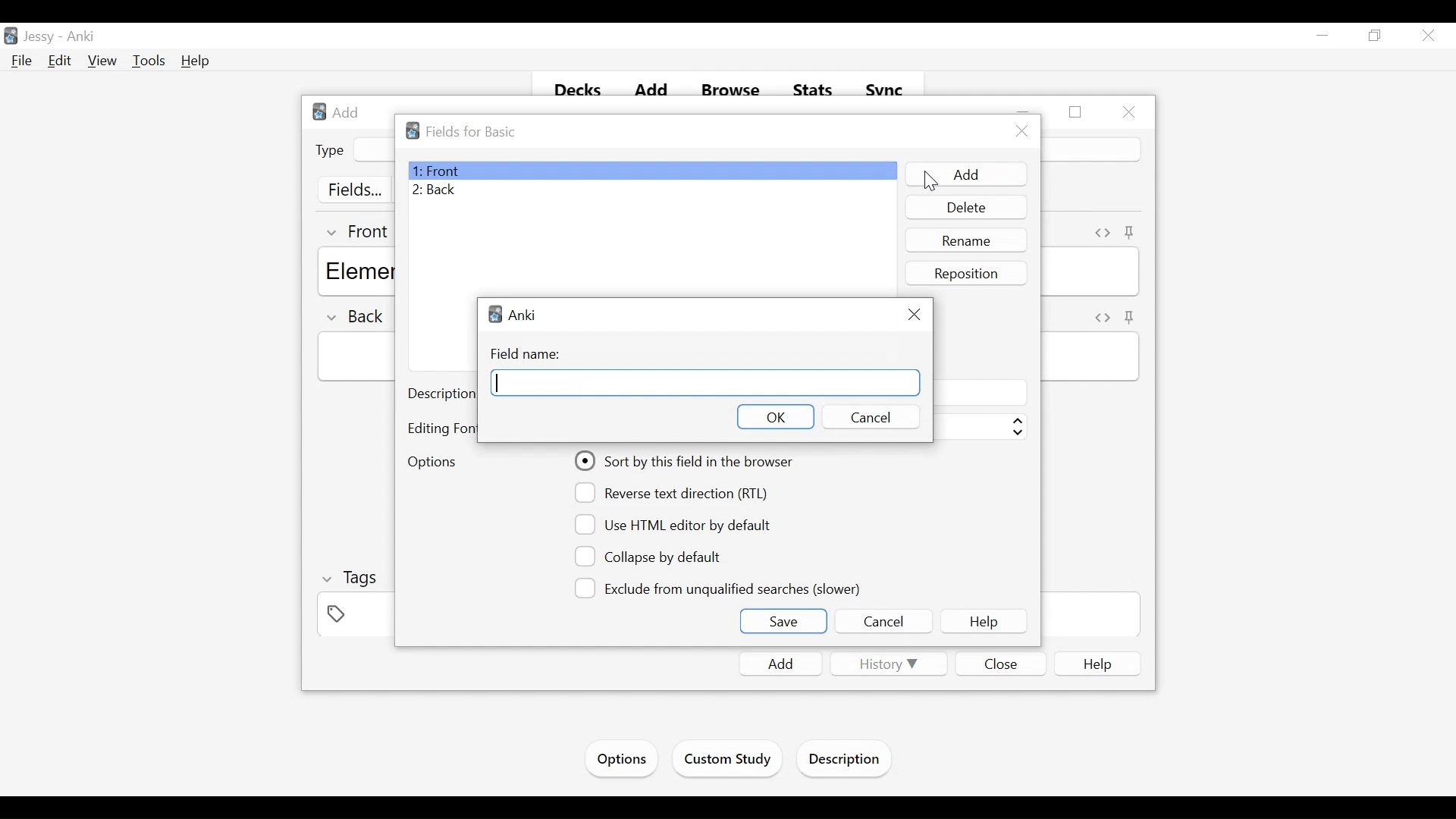 The height and width of the screenshot is (819, 1456). What do you see at coordinates (814, 90) in the screenshot?
I see `Stats` at bounding box center [814, 90].